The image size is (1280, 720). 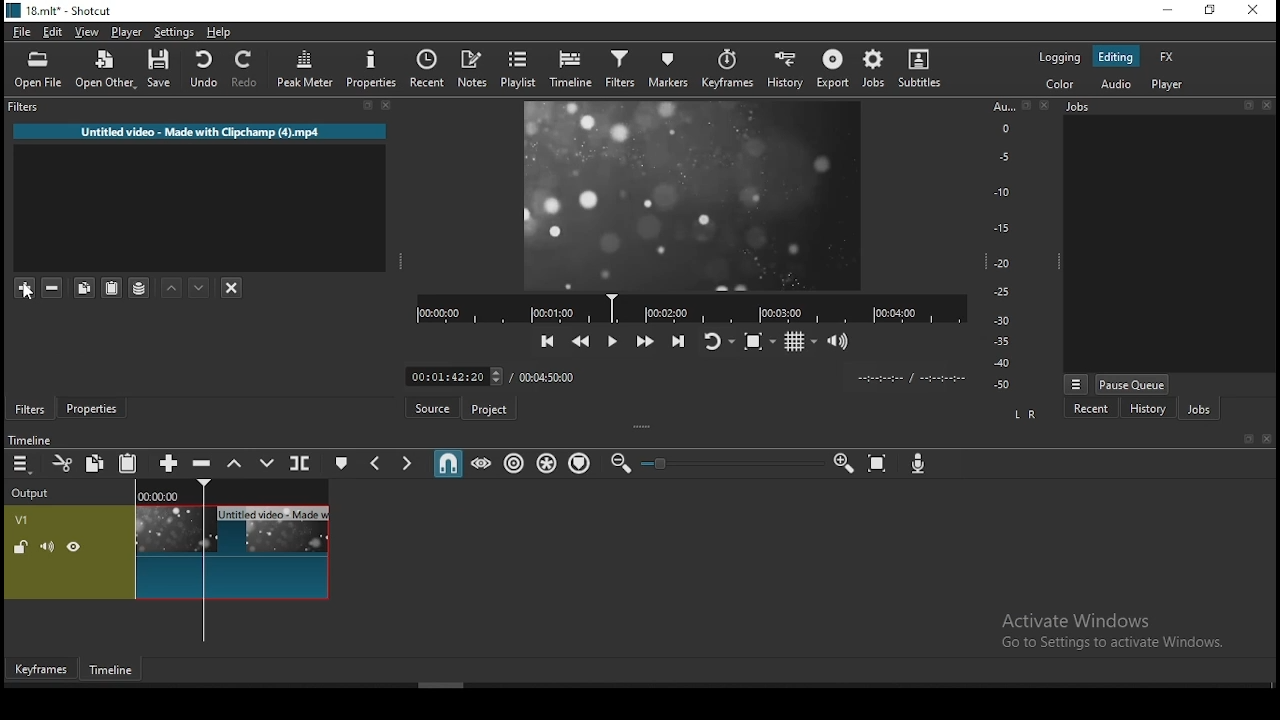 What do you see at coordinates (198, 288) in the screenshot?
I see `move filter down` at bounding box center [198, 288].